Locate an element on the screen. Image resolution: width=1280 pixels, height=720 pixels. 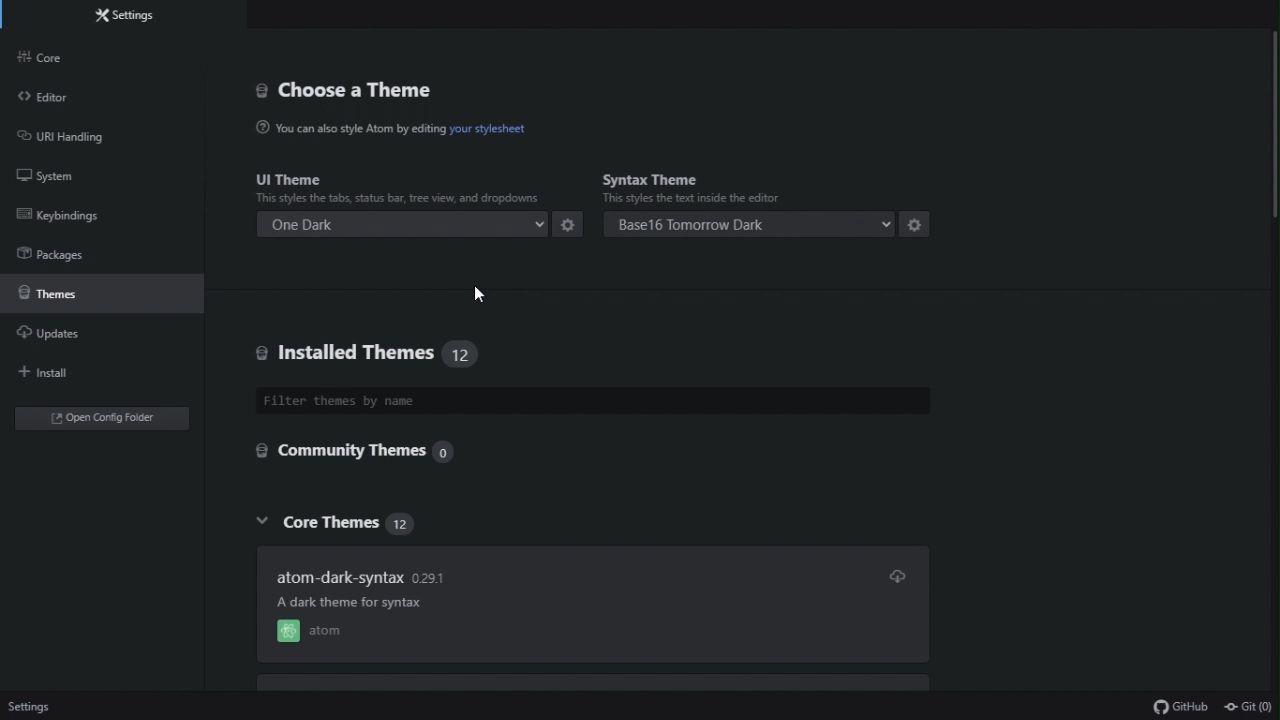
Choose a theme is located at coordinates (369, 93).